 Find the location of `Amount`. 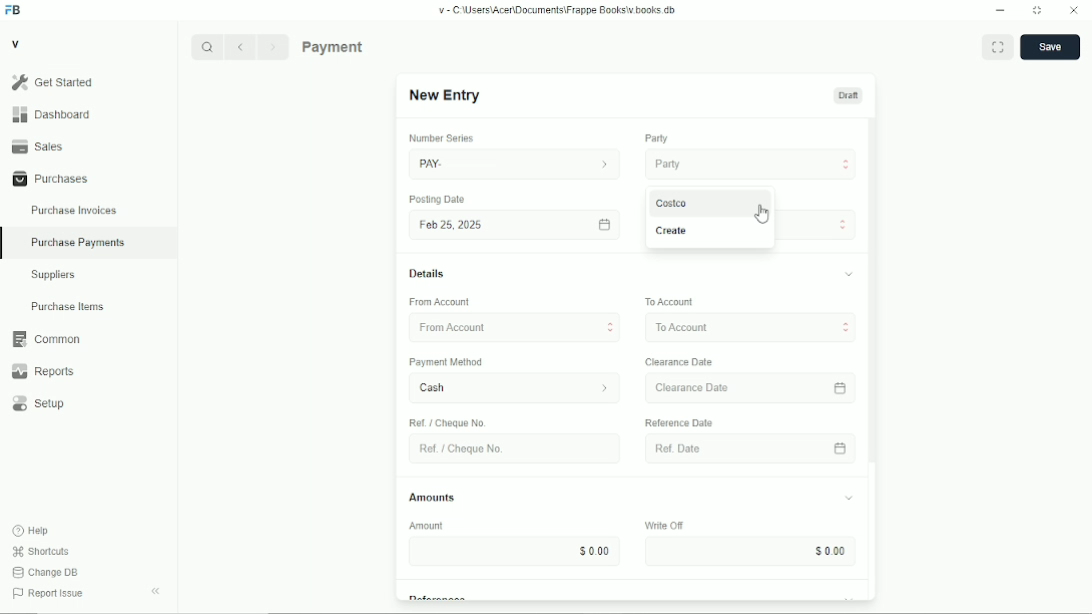

Amount is located at coordinates (435, 526).